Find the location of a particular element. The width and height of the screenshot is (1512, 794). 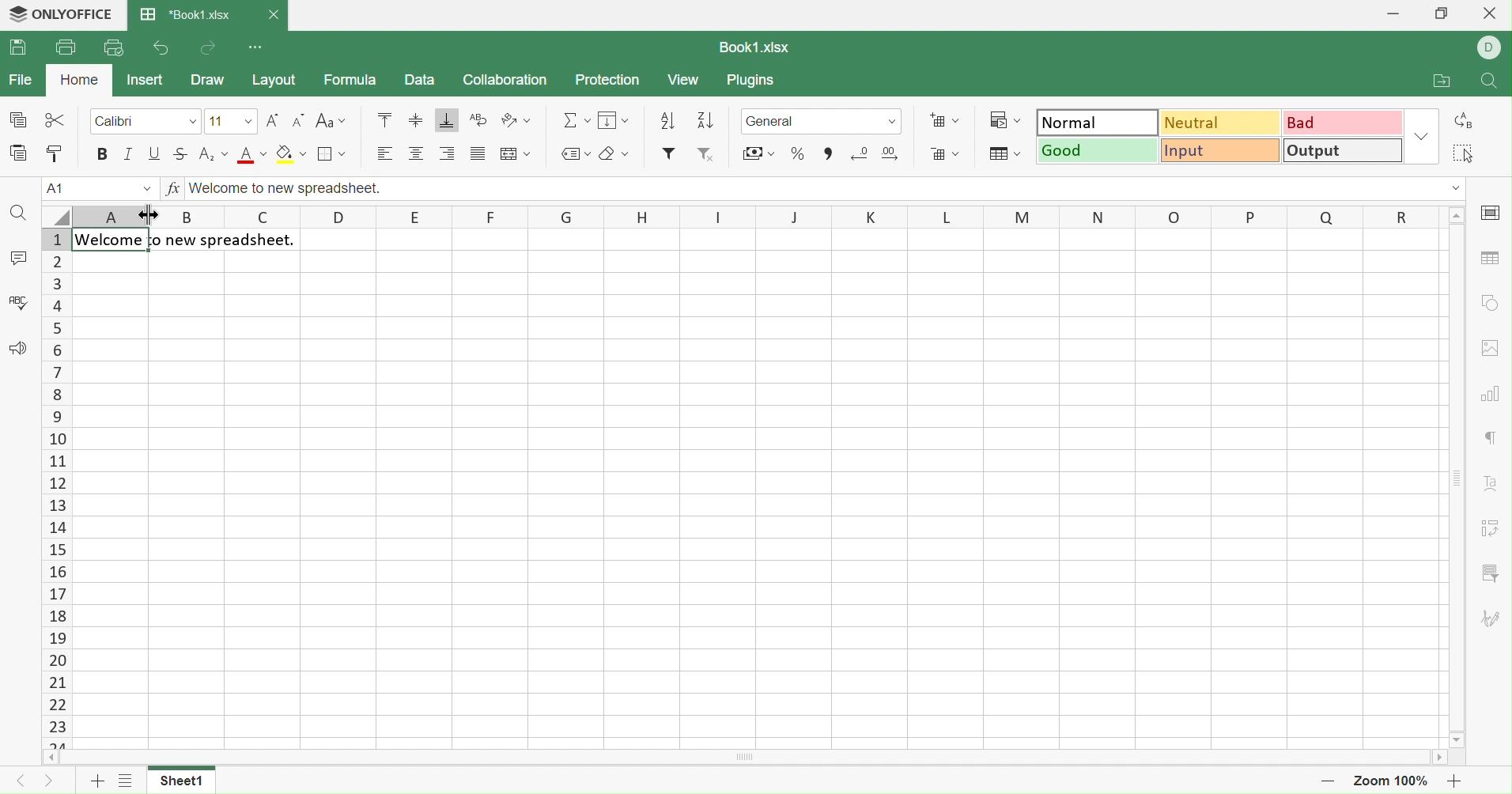

Output is located at coordinates (1345, 149).